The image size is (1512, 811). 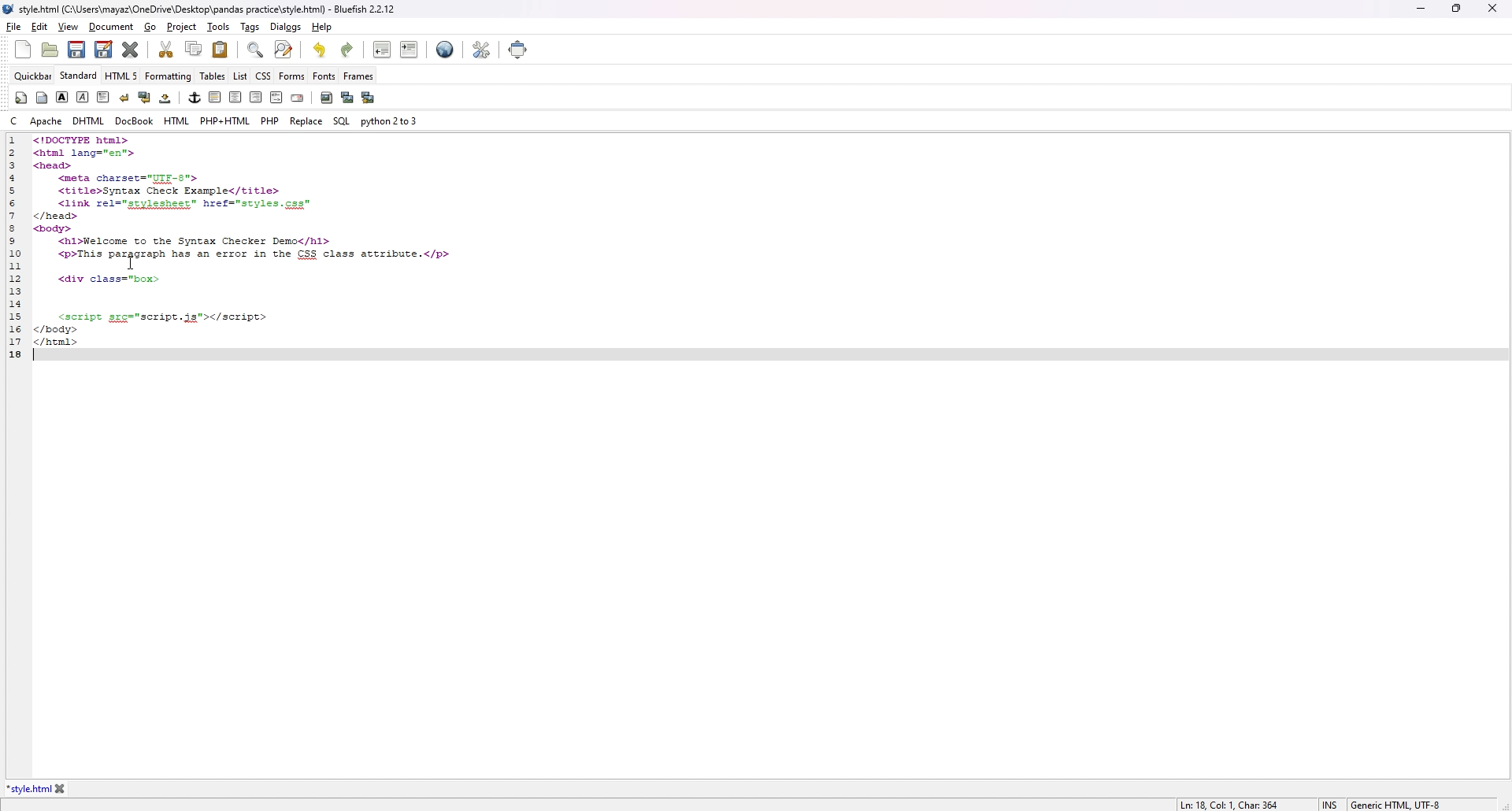 I want to click on redo, so click(x=348, y=50).